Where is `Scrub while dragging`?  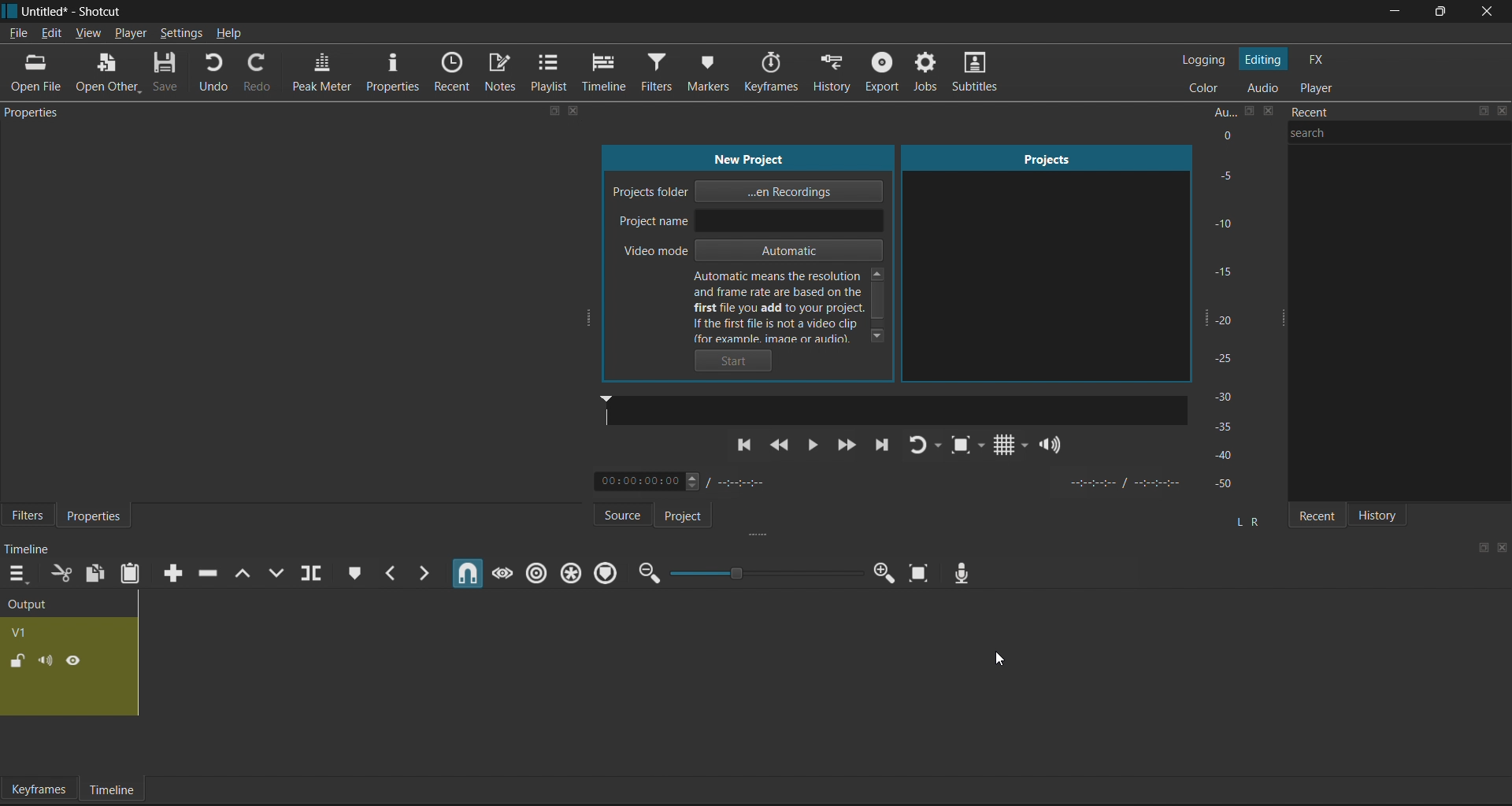 Scrub while dragging is located at coordinates (501, 570).